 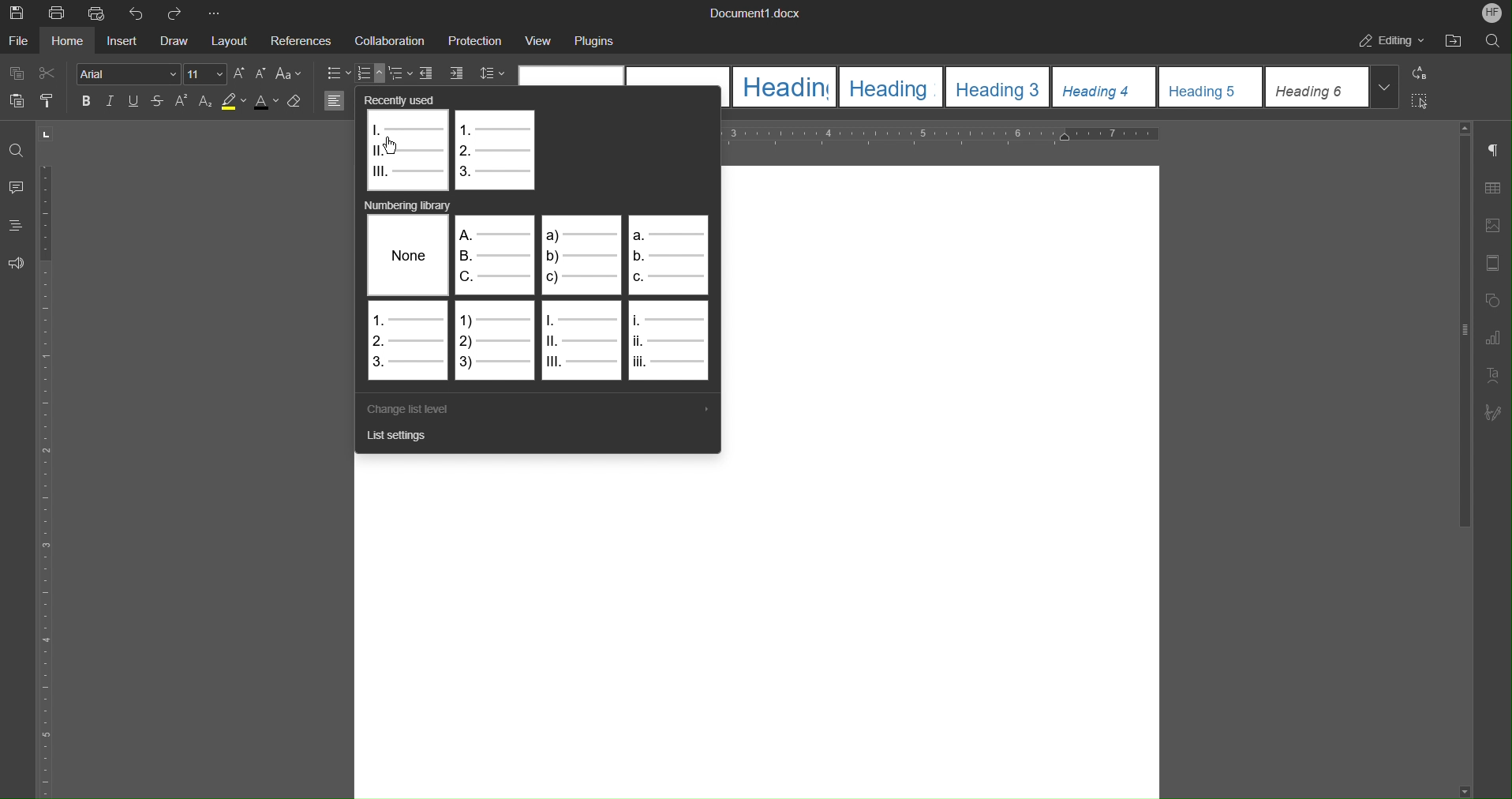 What do you see at coordinates (204, 102) in the screenshot?
I see `Subscript` at bounding box center [204, 102].